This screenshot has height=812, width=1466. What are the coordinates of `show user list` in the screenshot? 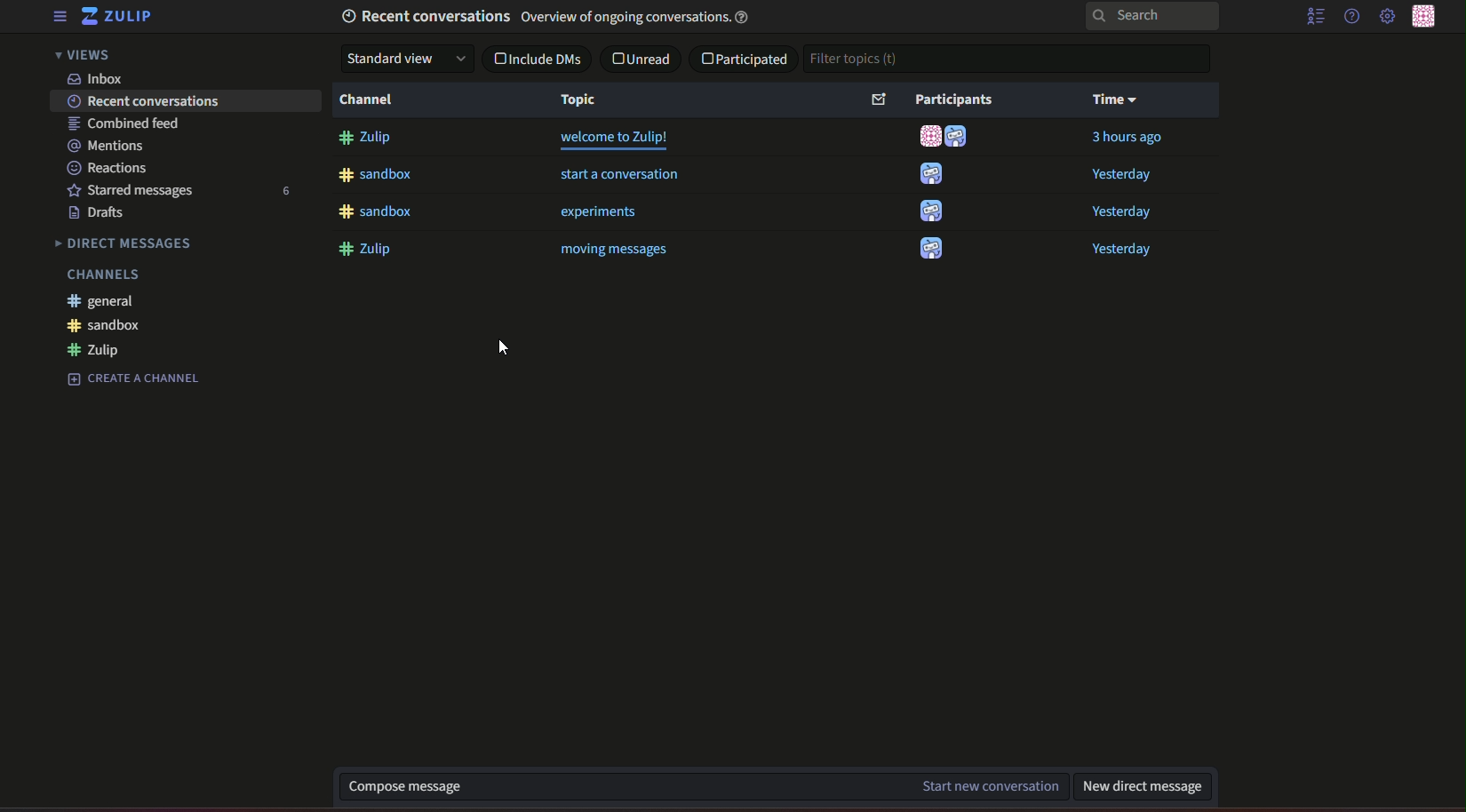 It's located at (1315, 19).